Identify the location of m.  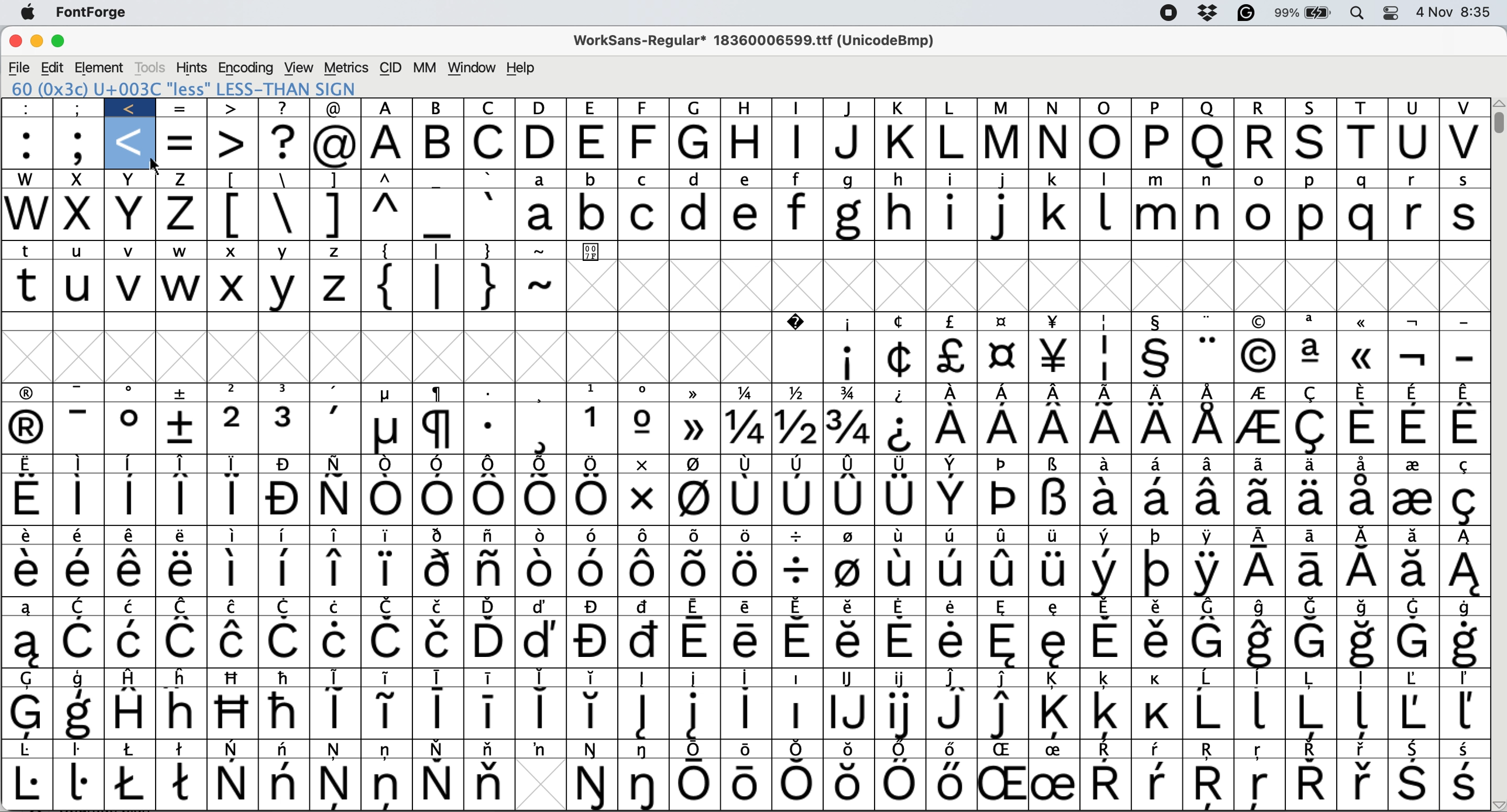
(1156, 216).